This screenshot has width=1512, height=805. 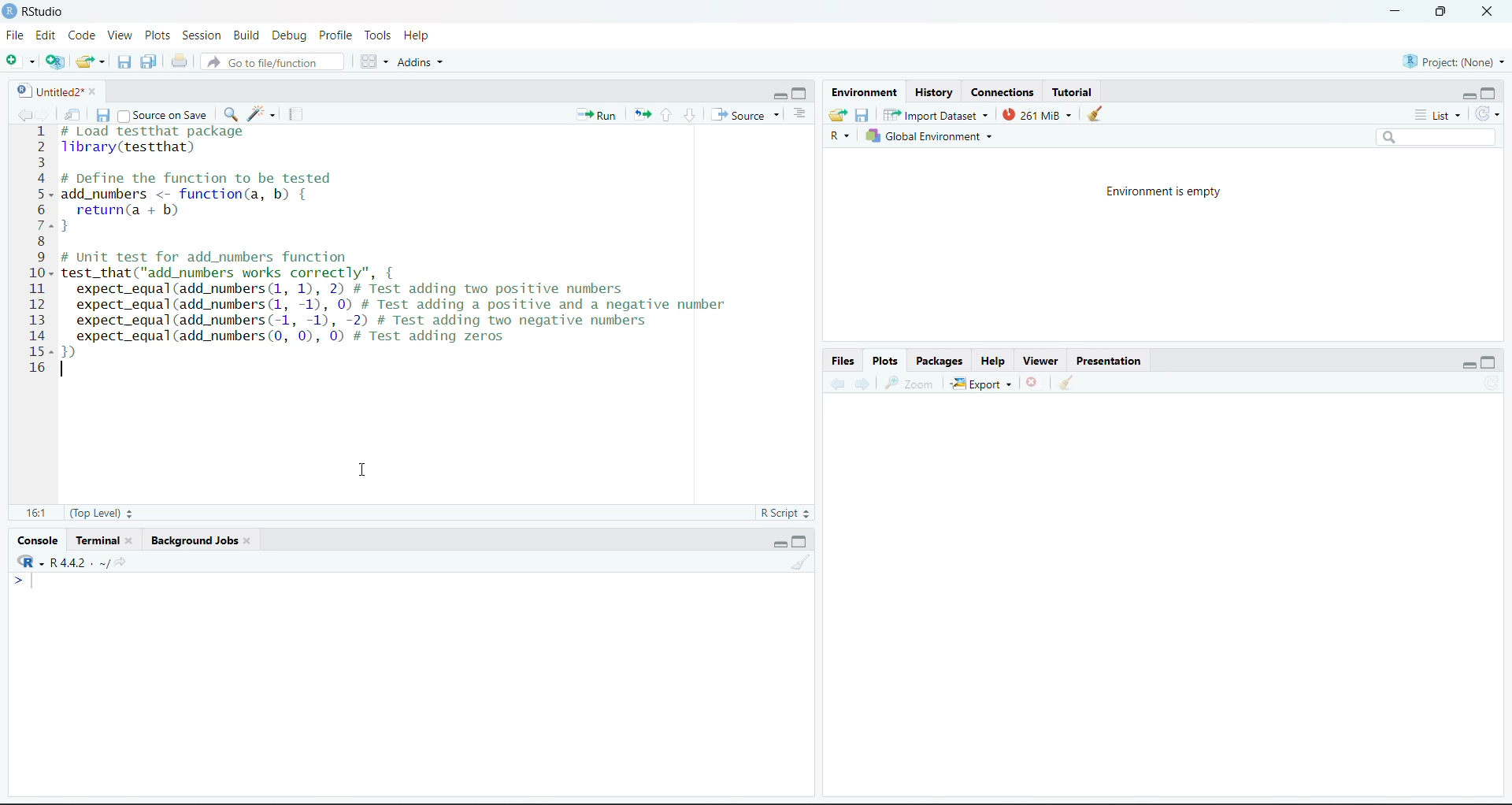 What do you see at coordinates (843, 361) in the screenshot?
I see `Files` at bounding box center [843, 361].